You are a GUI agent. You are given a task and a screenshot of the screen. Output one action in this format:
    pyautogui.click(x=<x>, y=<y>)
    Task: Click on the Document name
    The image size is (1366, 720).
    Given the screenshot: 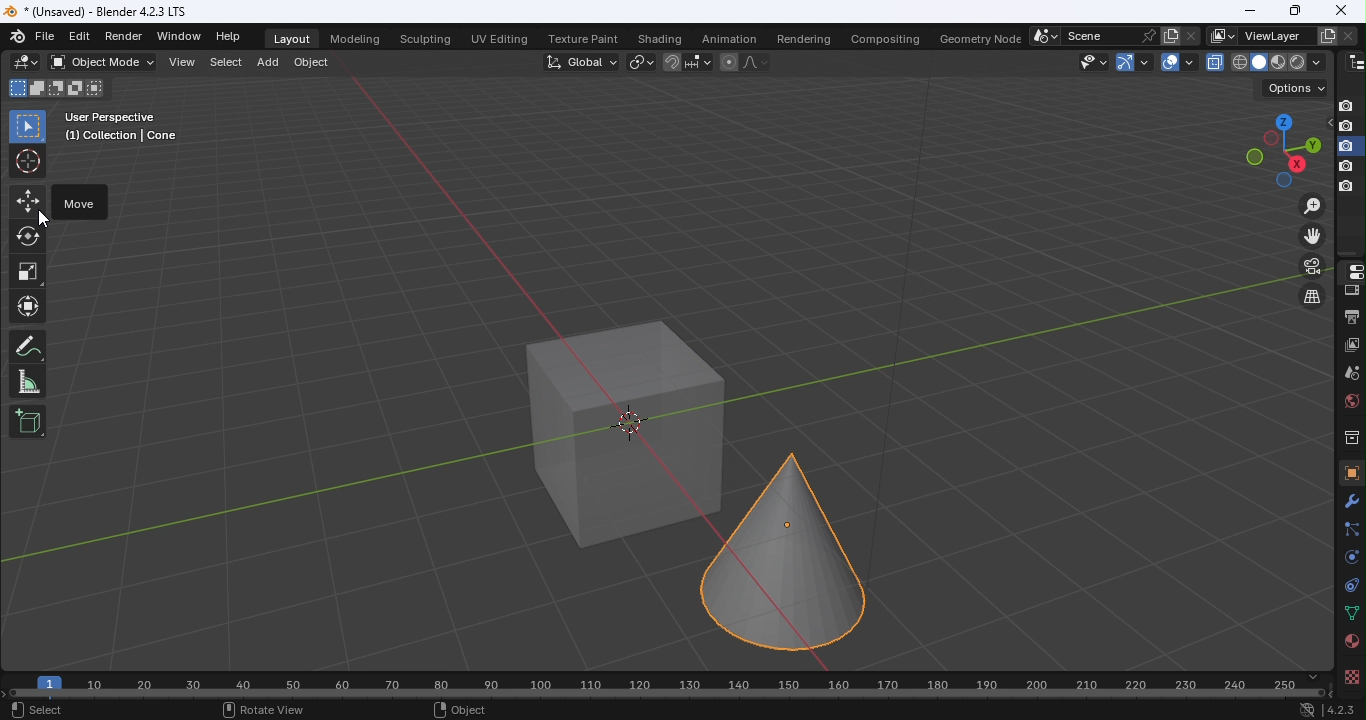 What is the action you would take?
    pyautogui.click(x=105, y=10)
    